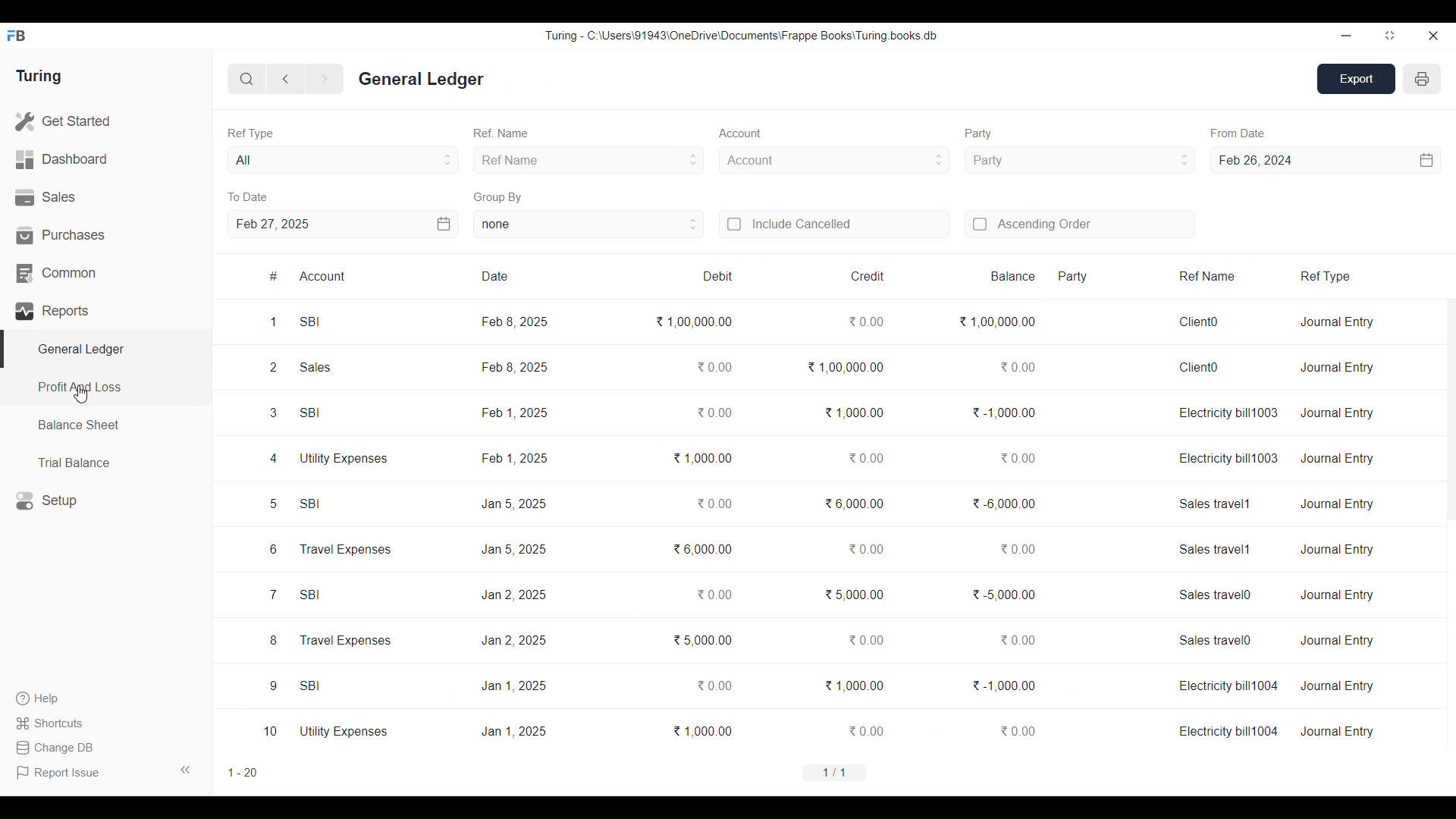  What do you see at coordinates (293, 594) in the screenshot?
I see `7 SBl` at bounding box center [293, 594].